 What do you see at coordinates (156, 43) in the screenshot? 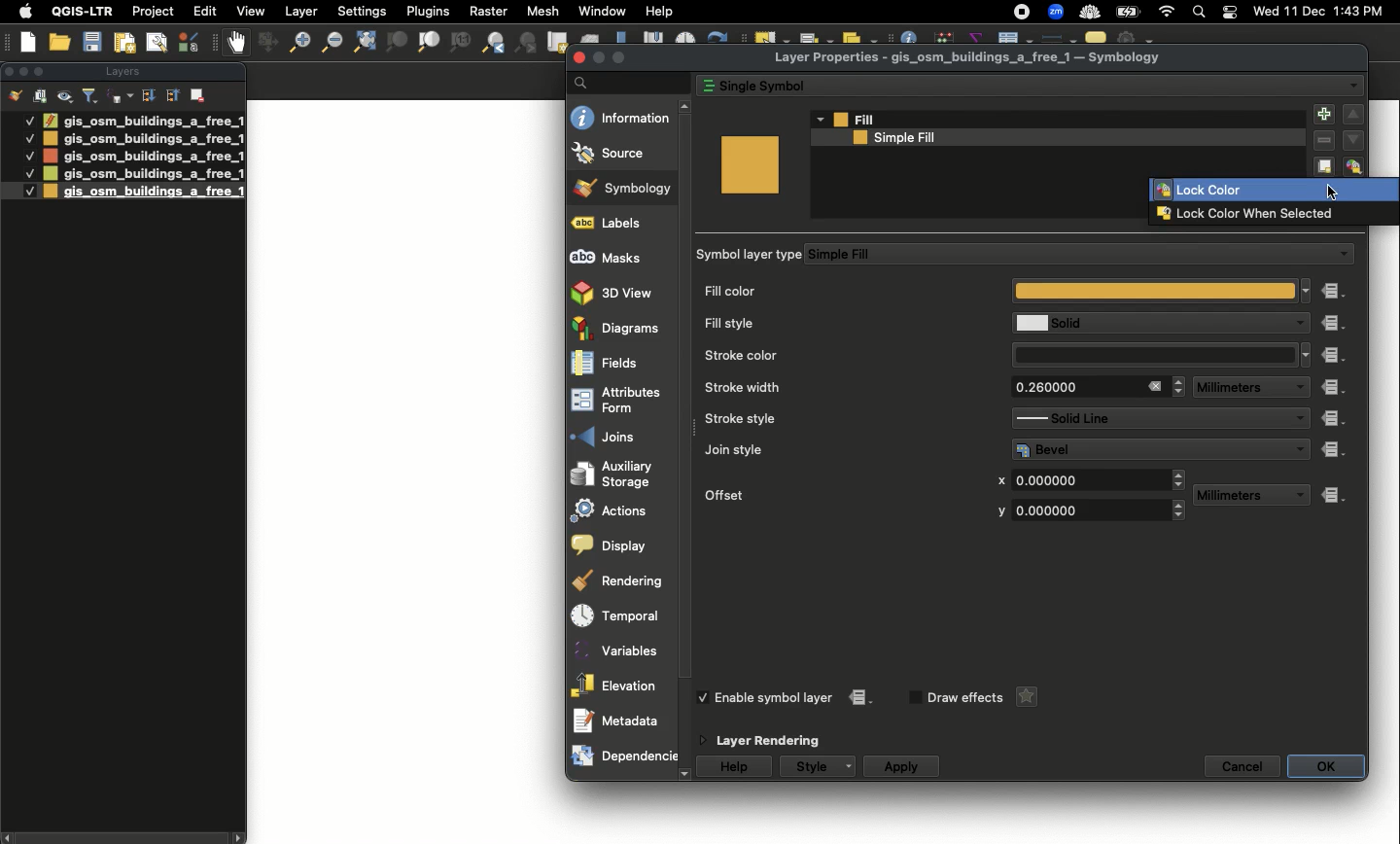
I see `Show layout manager` at bounding box center [156, 43].